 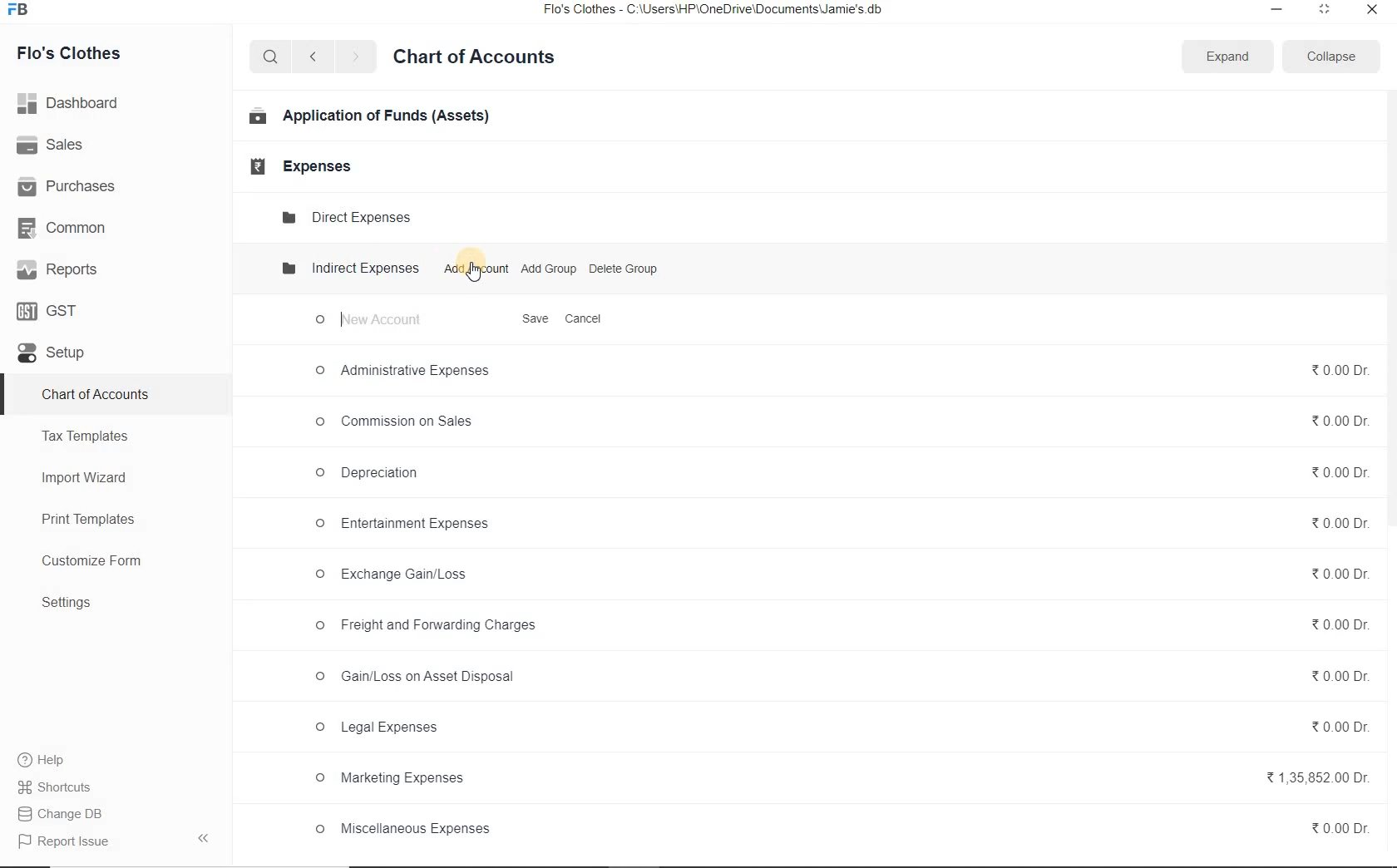 I want to click on Delete Group, so click(x=625, y=271).